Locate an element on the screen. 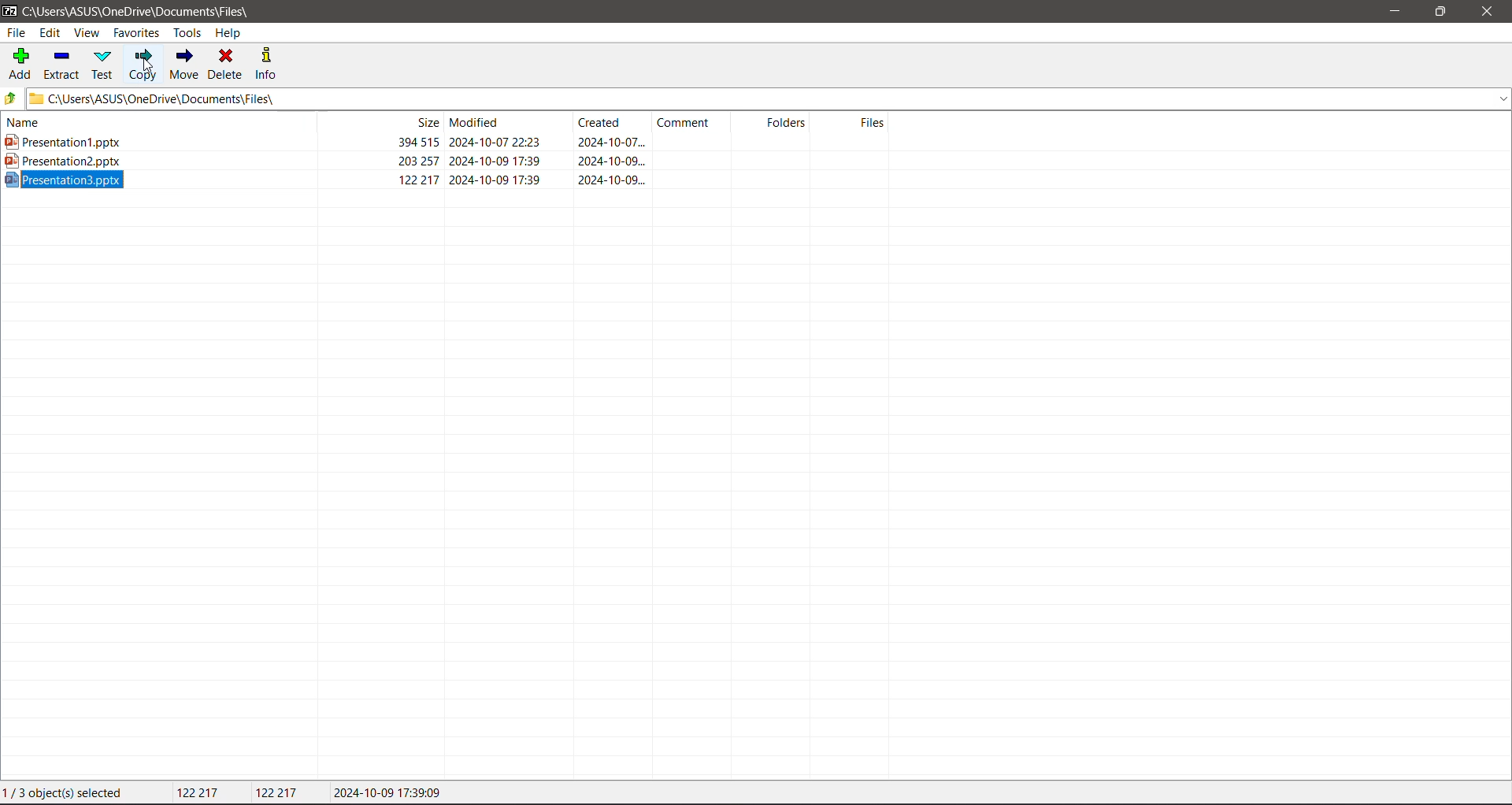 The width and height of the screenshot is (1512, 805). Close is located at coordinates (1492, 12).